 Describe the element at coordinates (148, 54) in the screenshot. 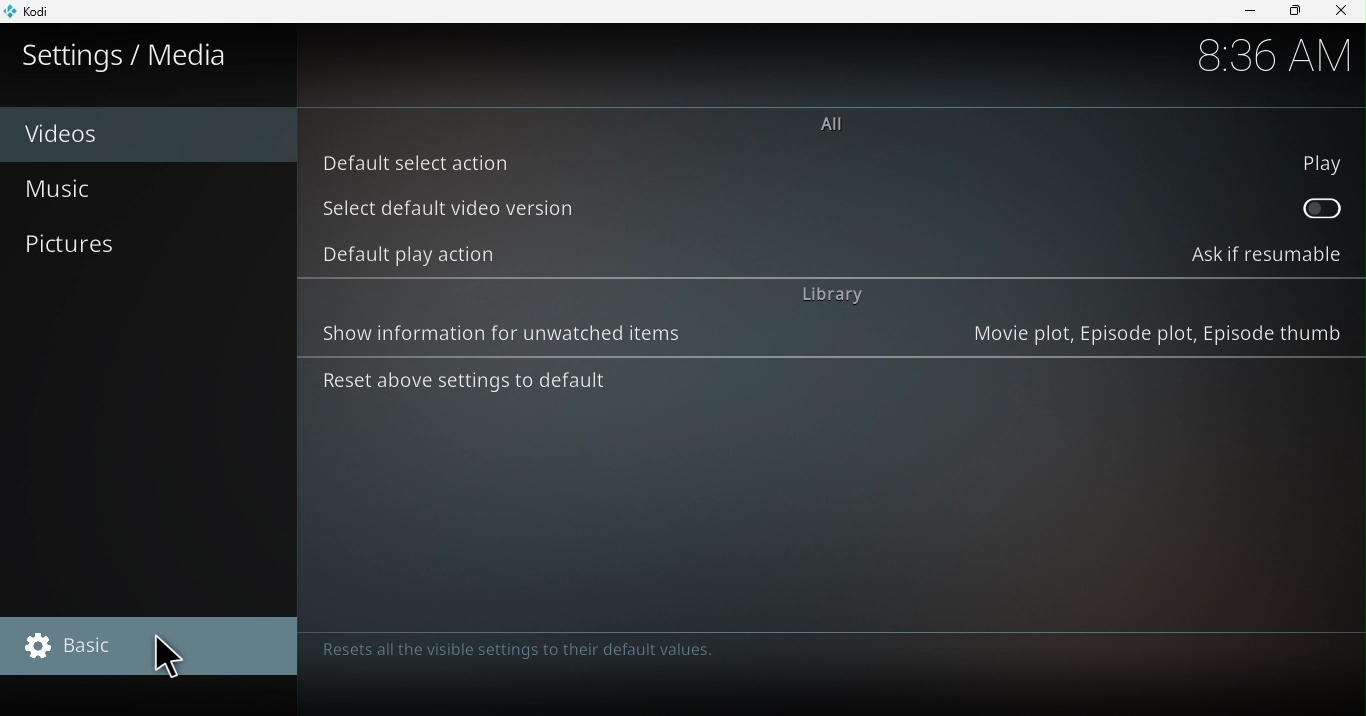

I see `Settings/media` at that location.